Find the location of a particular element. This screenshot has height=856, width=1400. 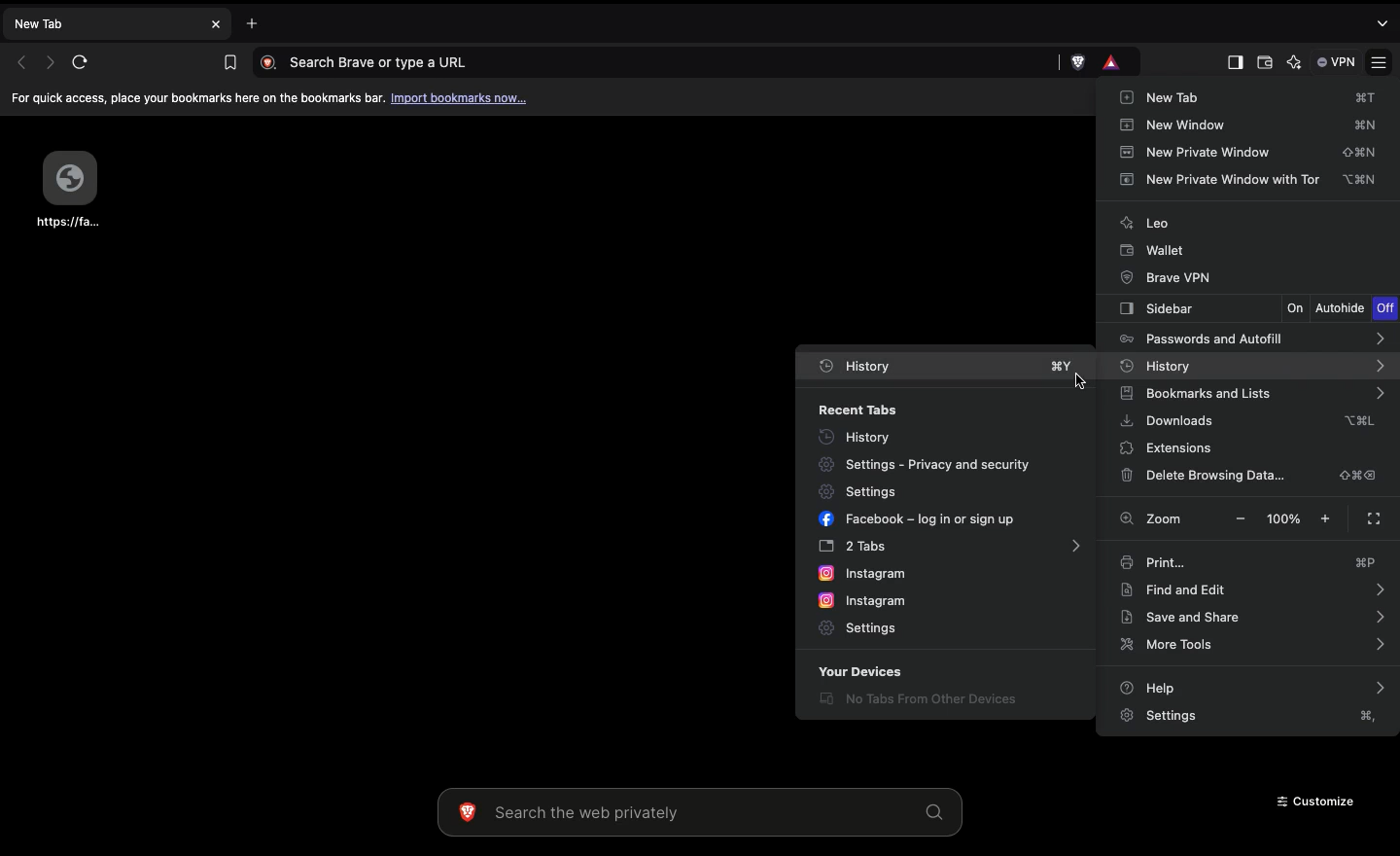

Extensions is located at coordinates (1167, 448).